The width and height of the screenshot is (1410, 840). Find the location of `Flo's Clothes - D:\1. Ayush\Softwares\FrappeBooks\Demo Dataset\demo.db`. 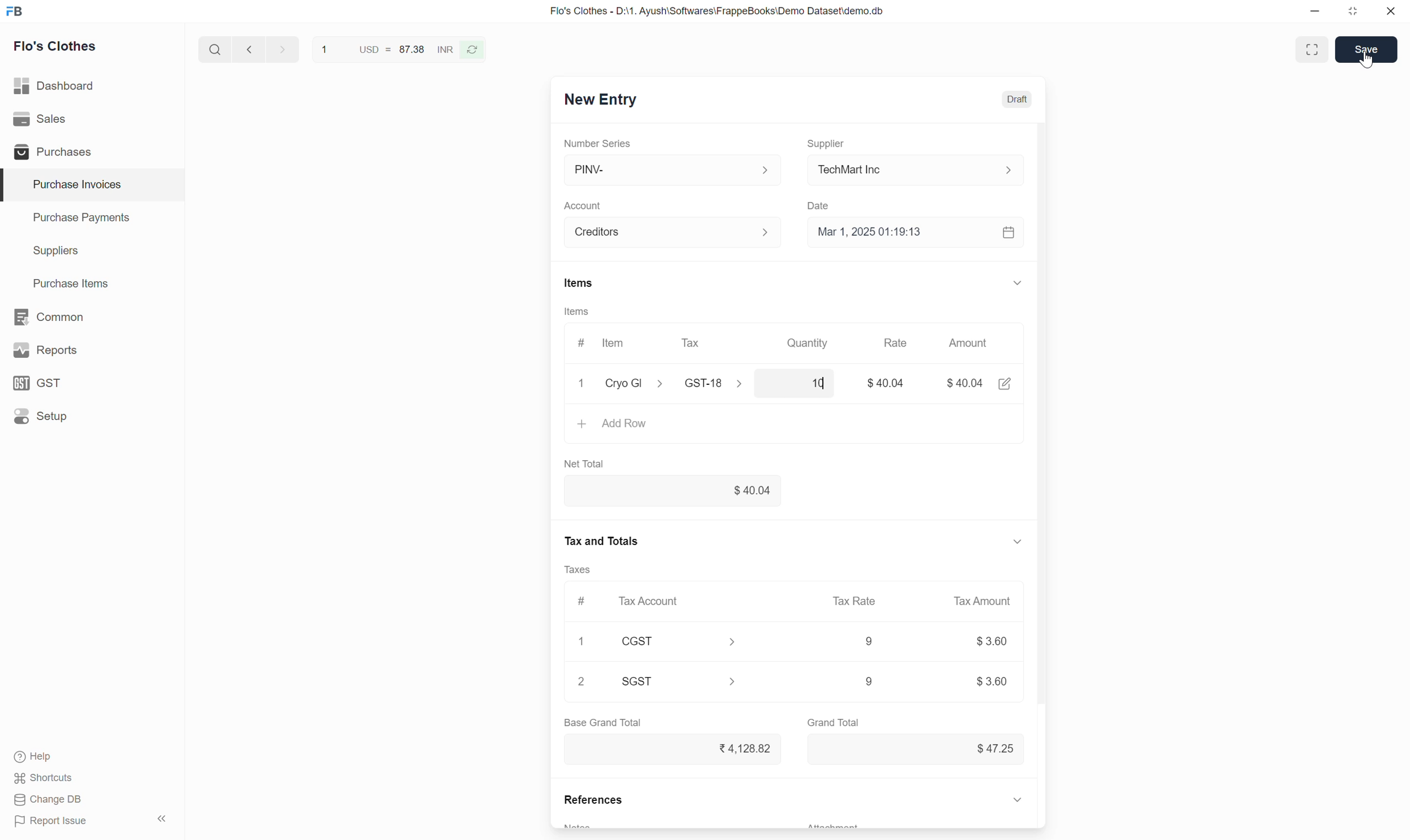

Flo's Clothes - D:\1. Ayush\Softwares\FrappeBooks\Demo Dataset\demo.db is located at coordinates (716, 11).